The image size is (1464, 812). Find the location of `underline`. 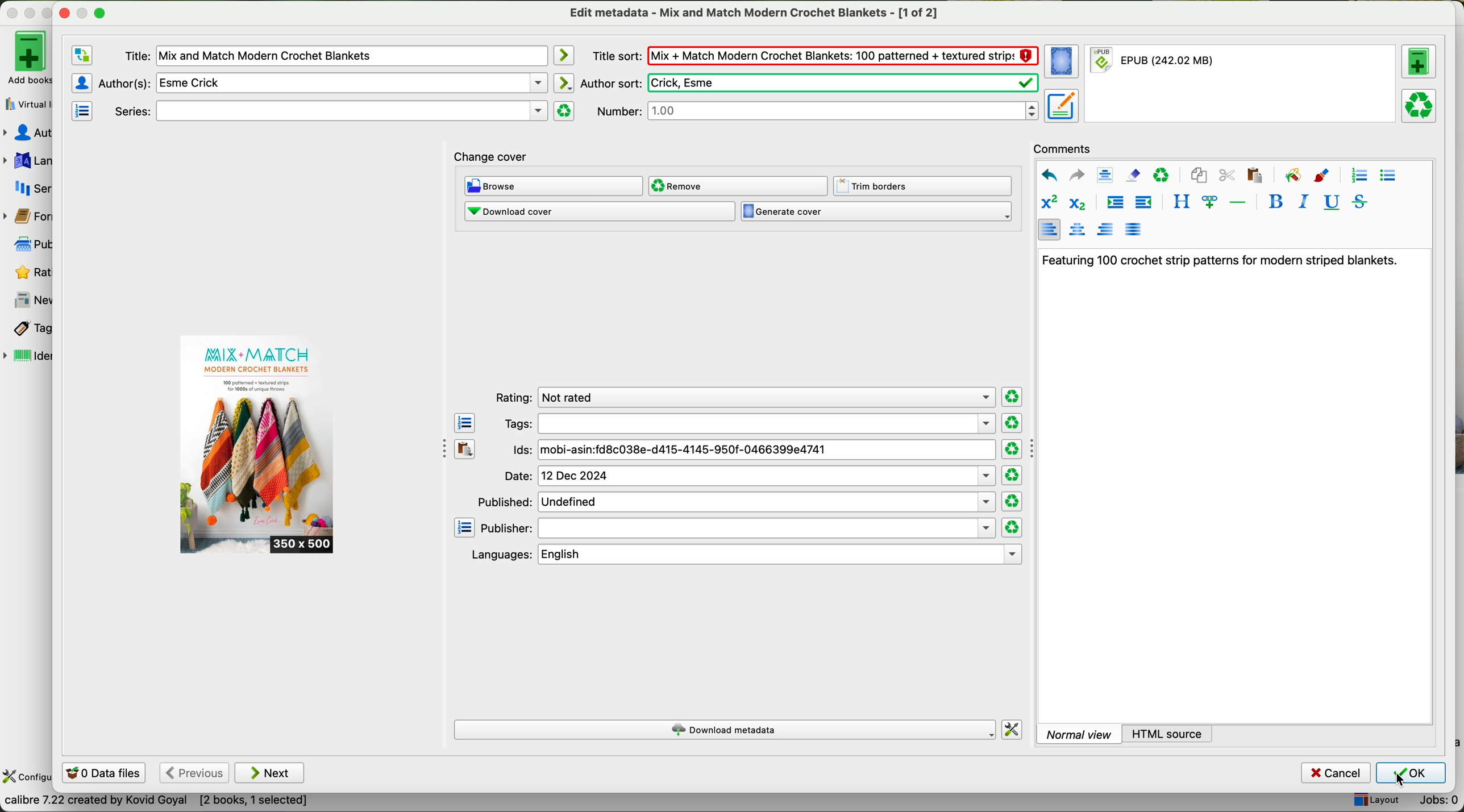

underline is located at coordinates (1330, 203).